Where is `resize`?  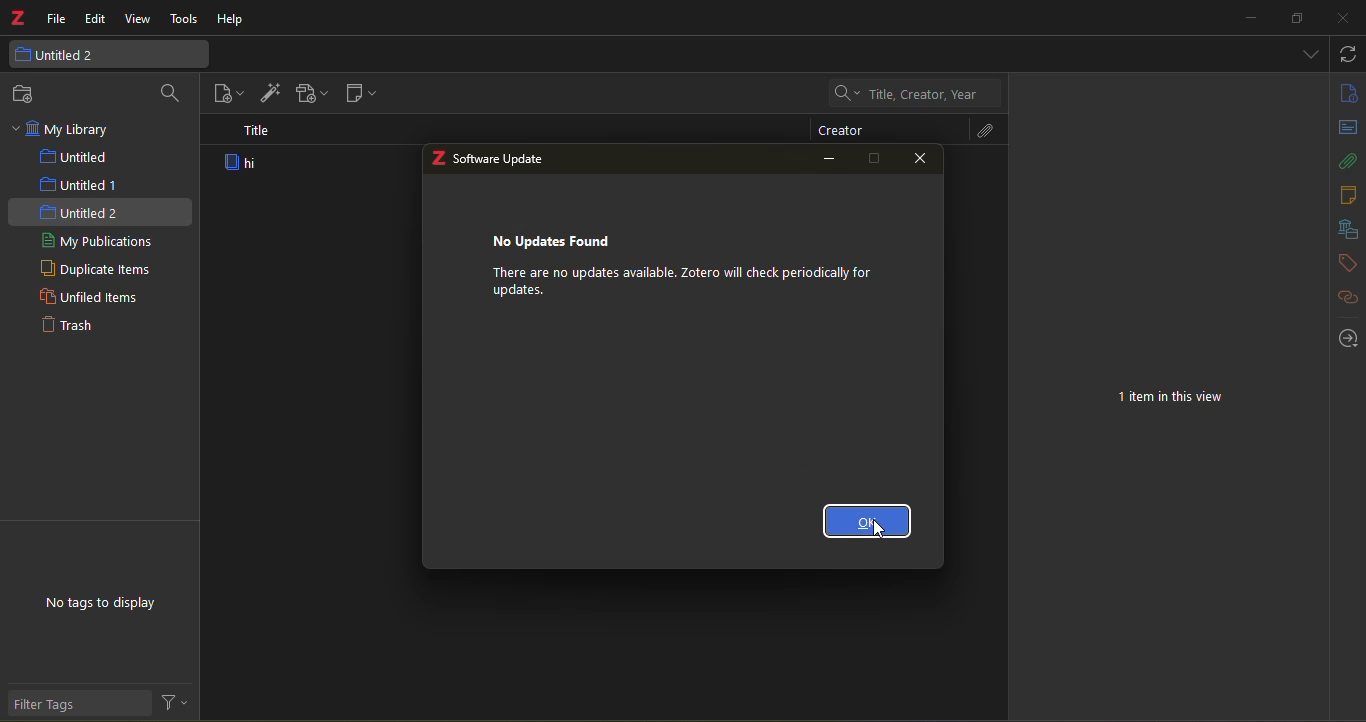
resize is located at coordinates (1297, 19).